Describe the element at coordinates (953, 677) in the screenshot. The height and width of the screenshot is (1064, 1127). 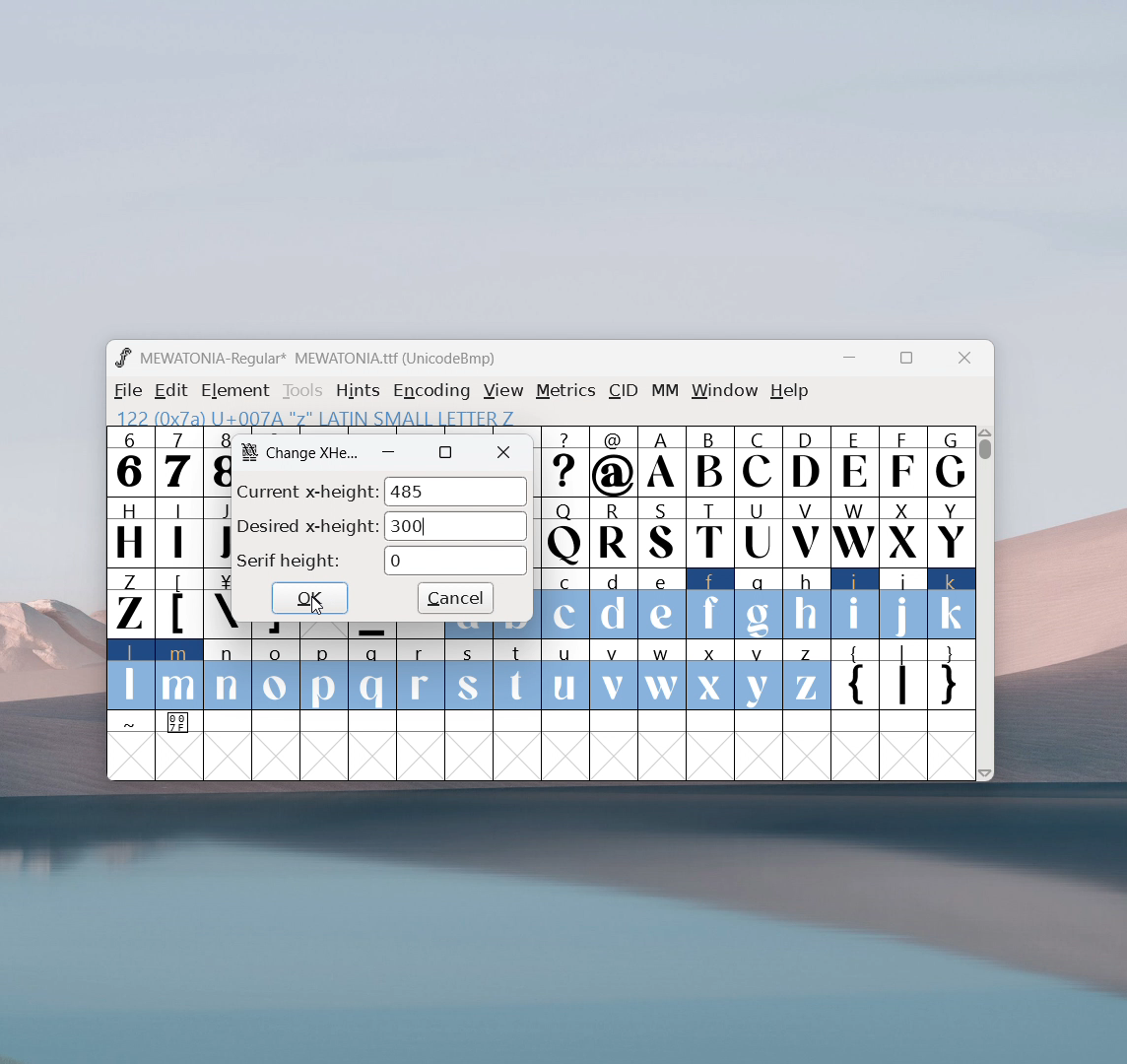
I see `}` at that location.